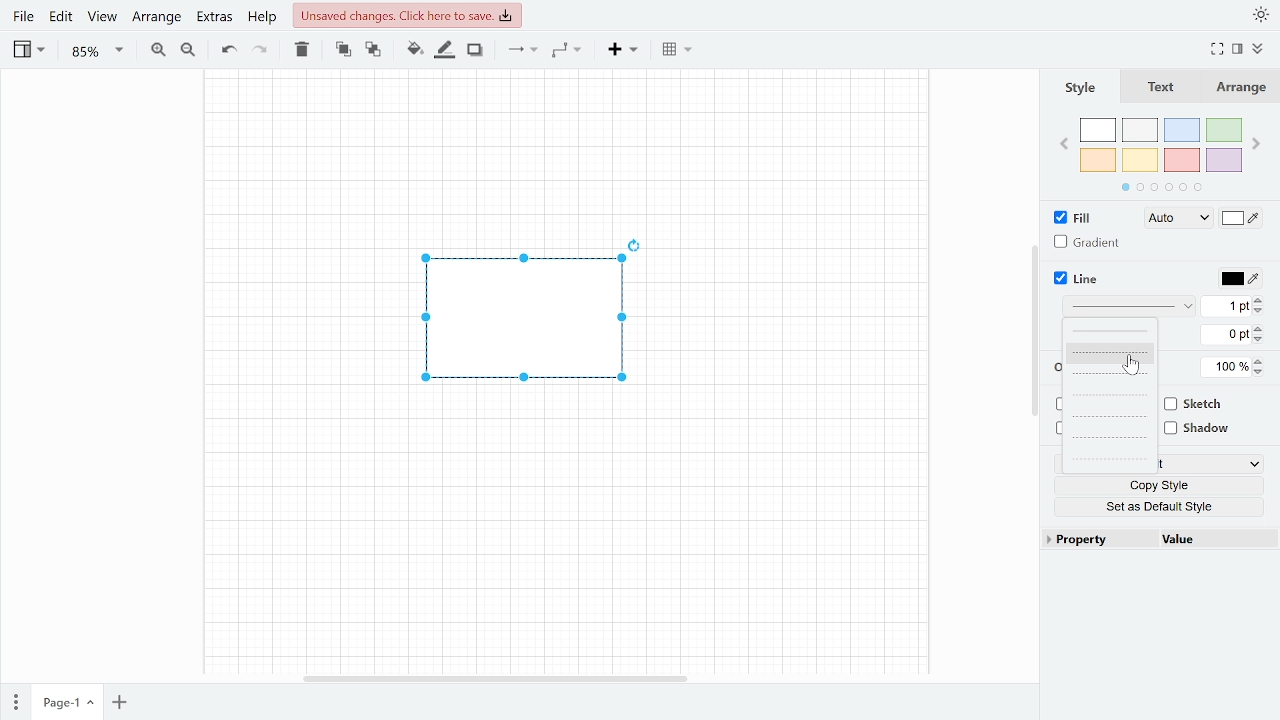  What do you see at coordinates (1107, 397) in the screenshot?
I see `dashed 3` at bounding box center [1107, 397].